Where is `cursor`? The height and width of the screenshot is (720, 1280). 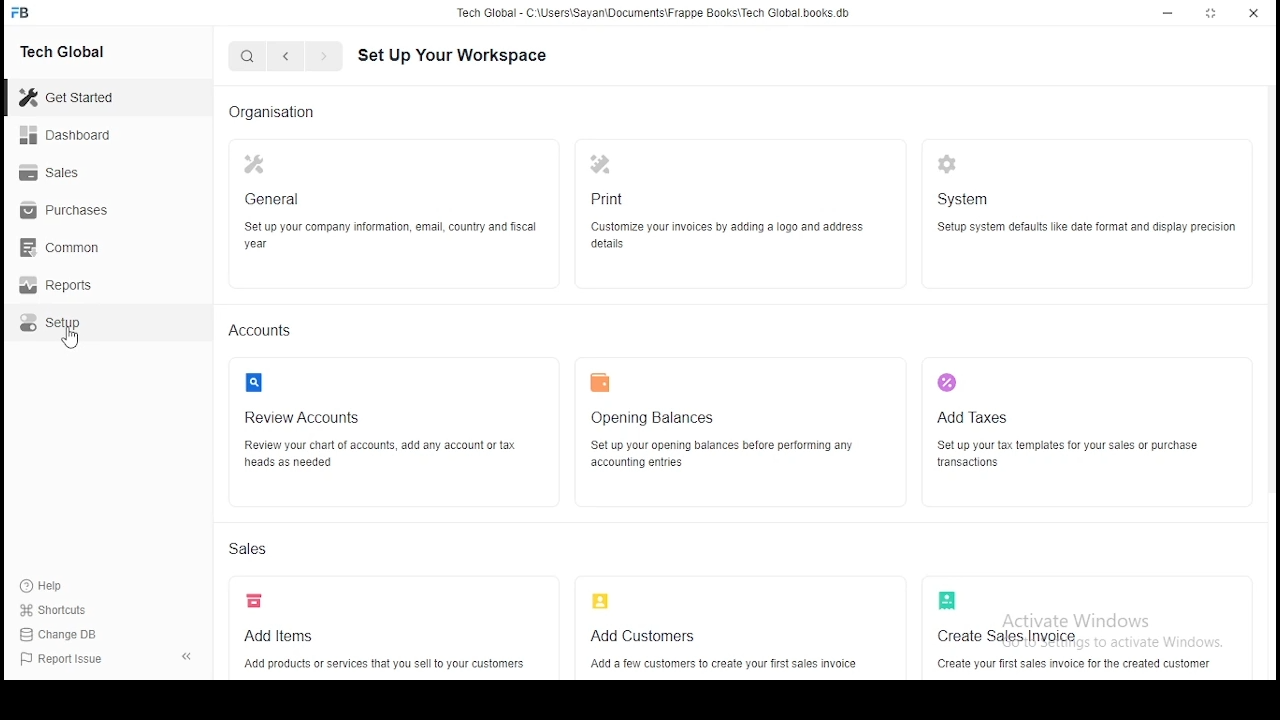
cursor is located at coordinates (70, 340).